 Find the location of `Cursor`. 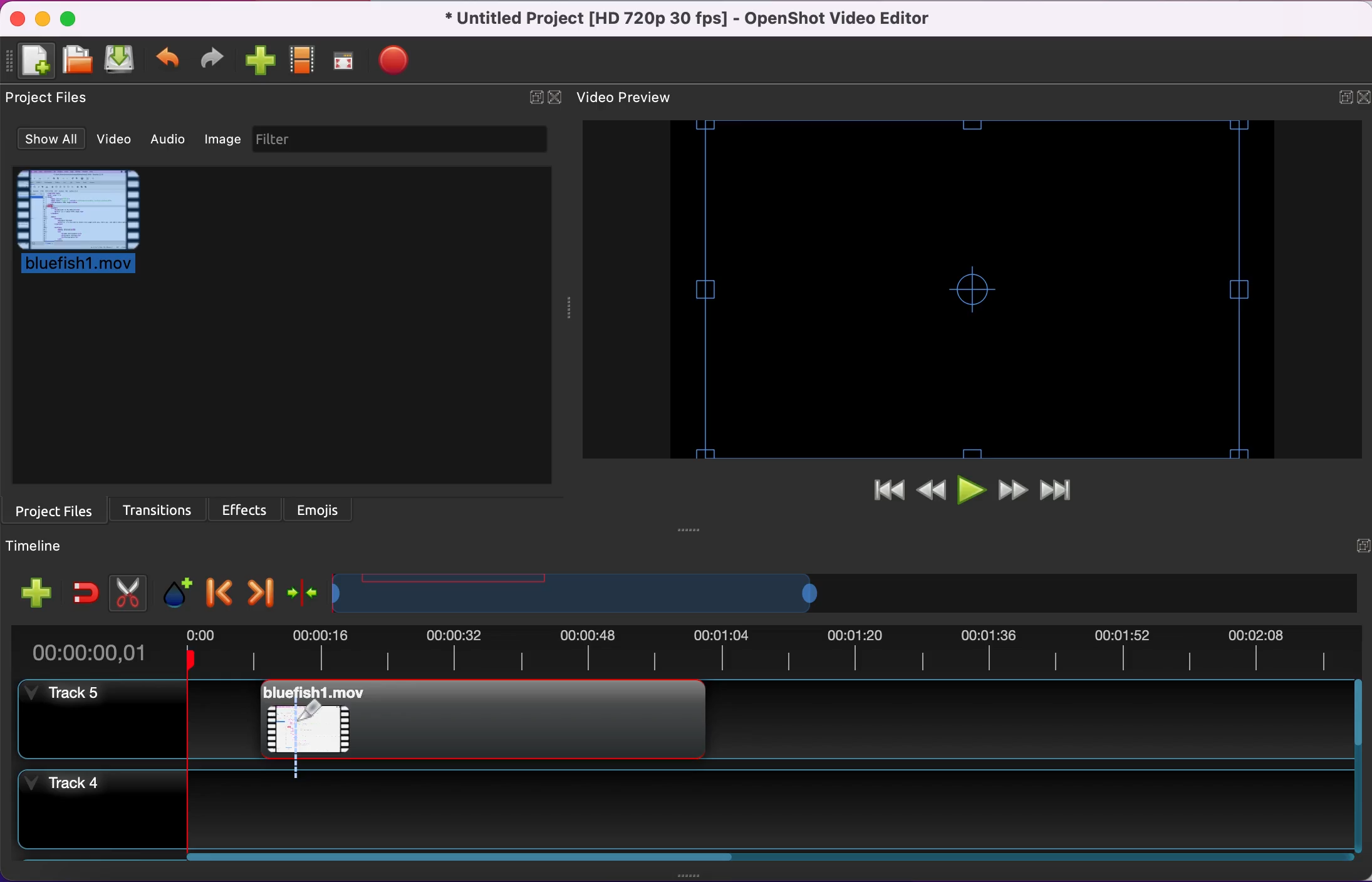

Cursor is located at coordinates (313, 712).